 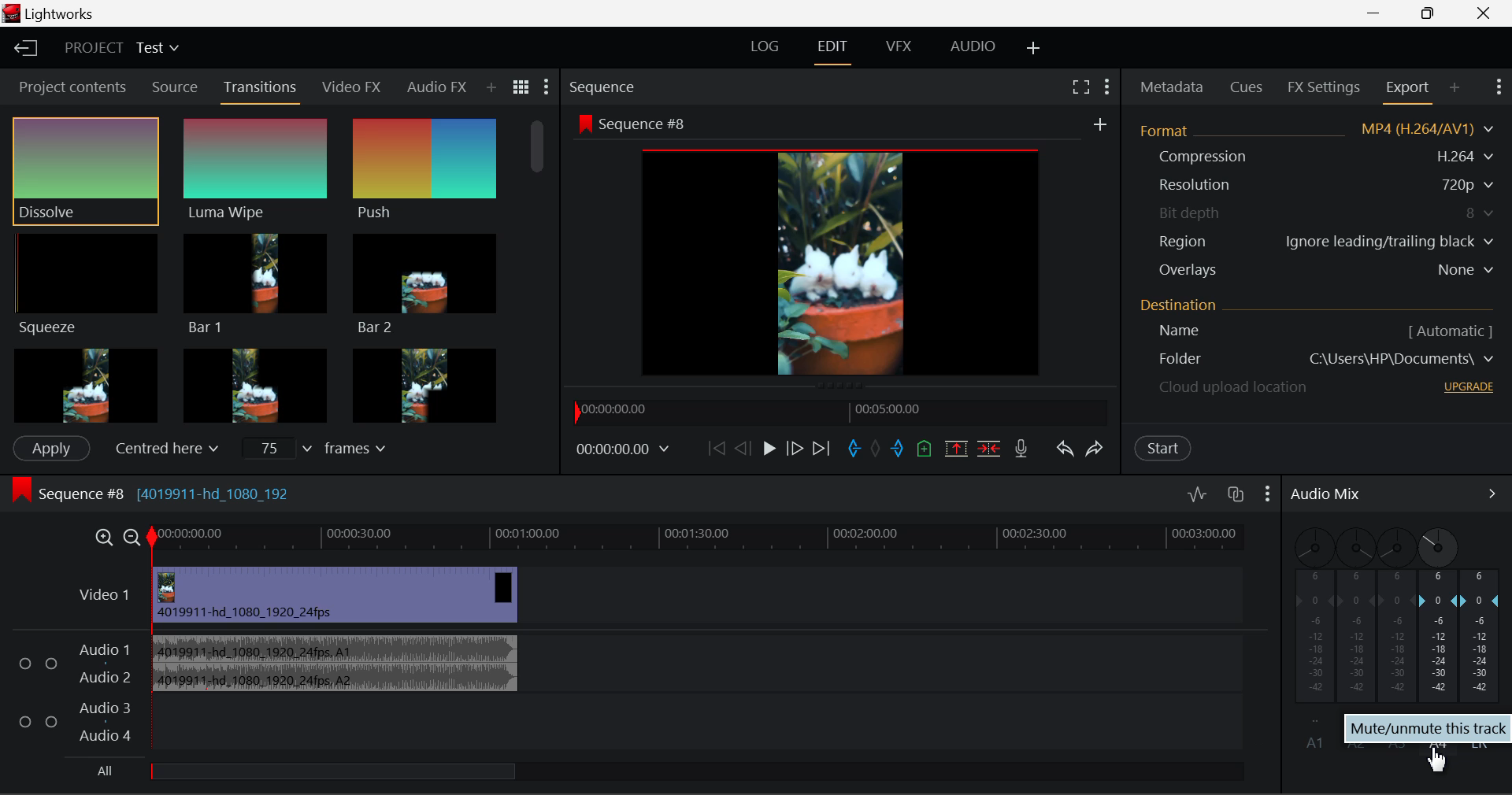 What do you see at coordinates (1433, 13) in the screenshot?
I see `Minimize` at bounding box center [1433, 13].